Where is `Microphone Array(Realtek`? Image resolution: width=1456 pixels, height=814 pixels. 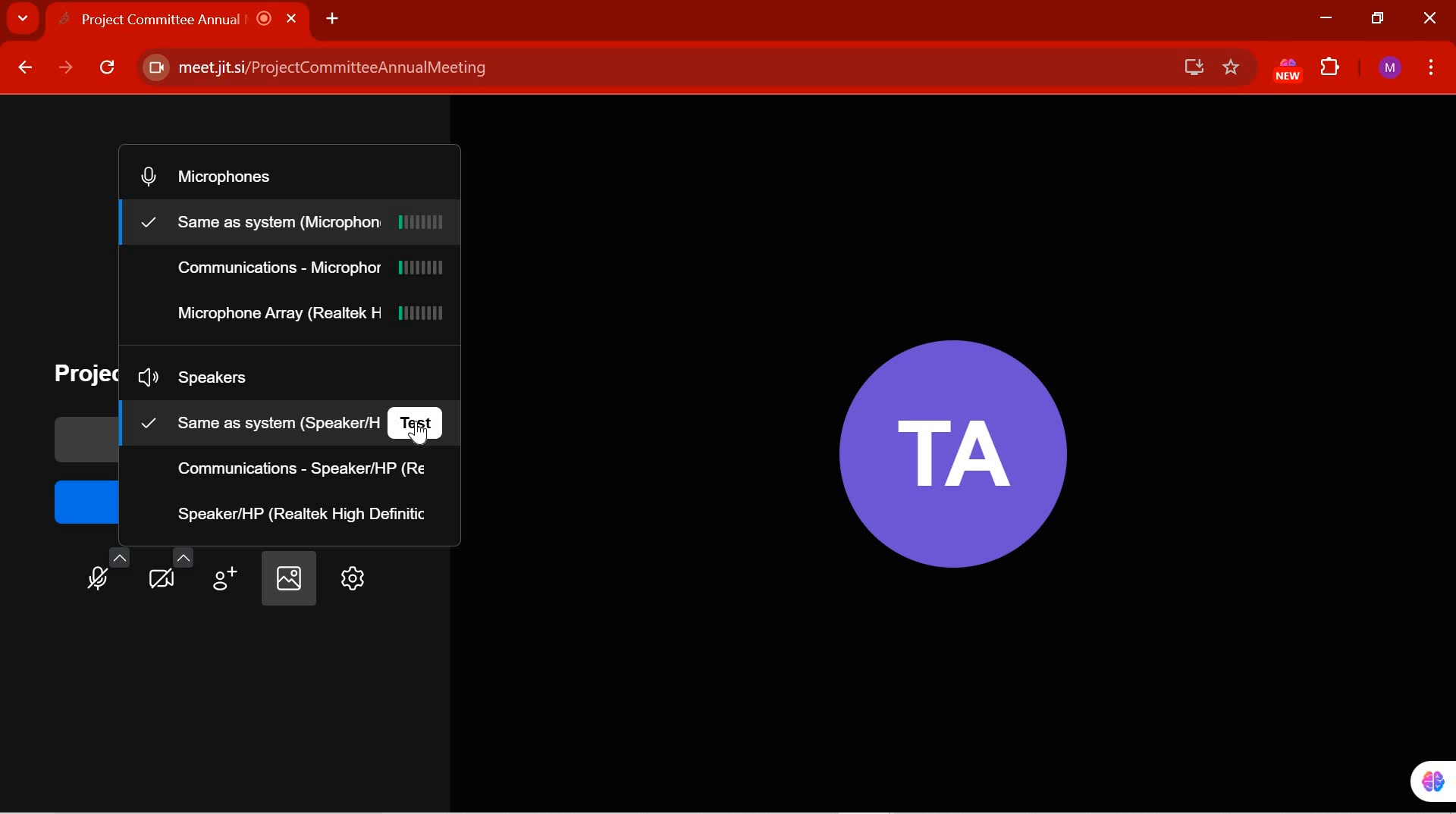
Microphone Array(Realtek is located at coordinates (309, 315).